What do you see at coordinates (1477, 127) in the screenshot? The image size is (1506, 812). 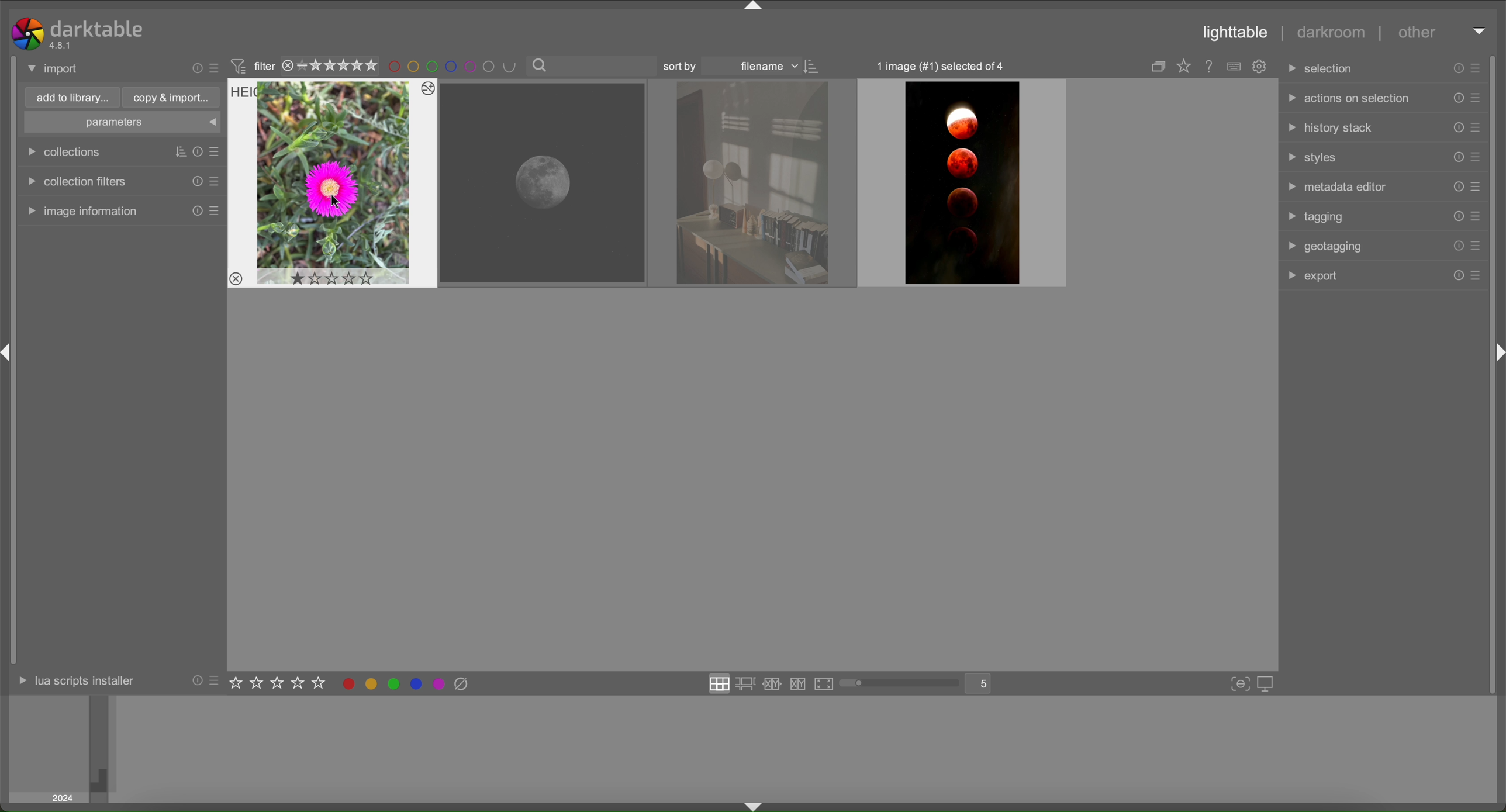 I see `presets` at bounding box center [1477, 127].